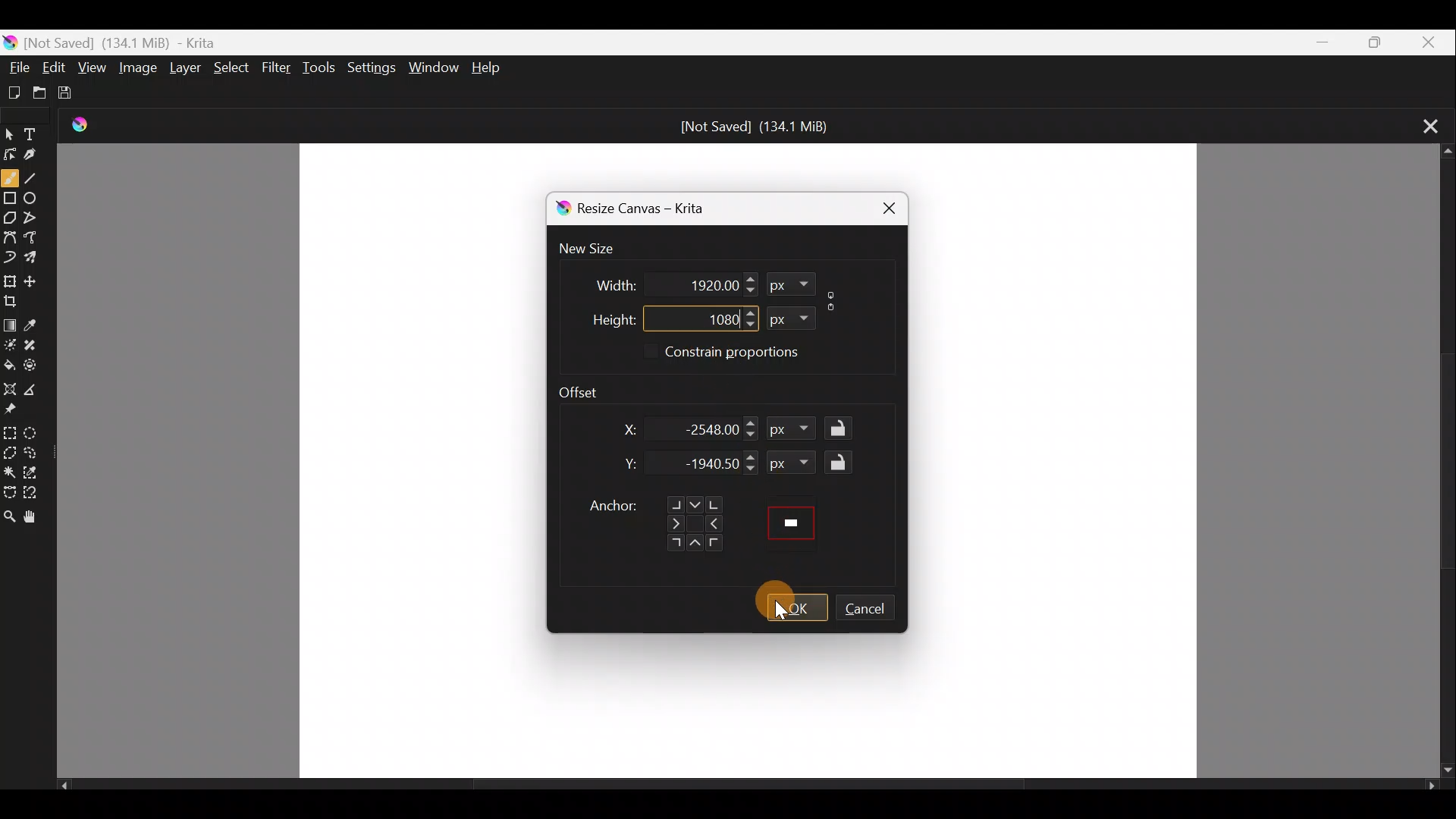 The height and width of the screenshot is (819, 1456). Describe the element at coordinates (692, 281) in the screenshot. I see `1920.00` at that location.